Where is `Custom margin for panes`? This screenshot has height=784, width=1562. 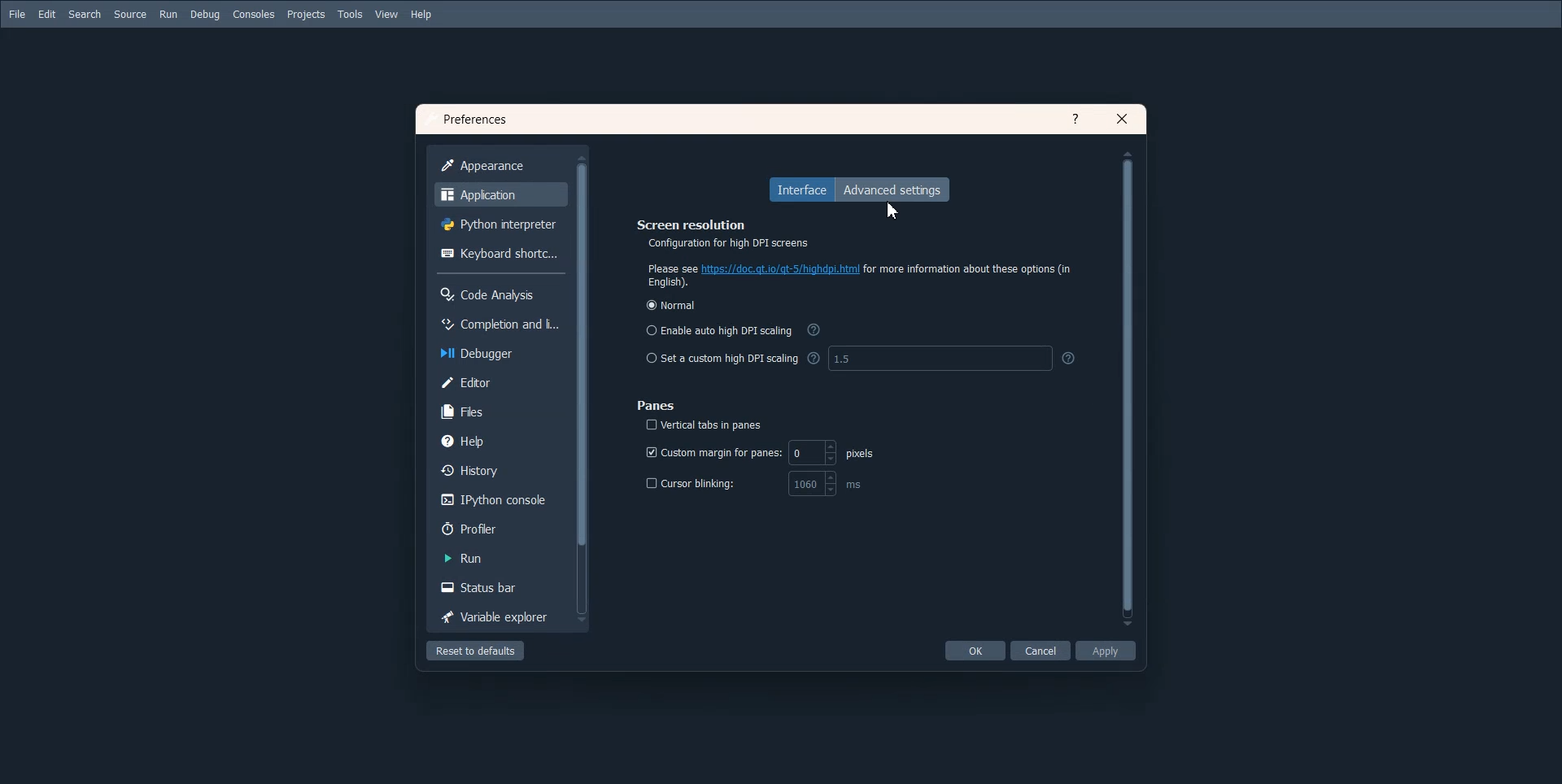
Custom margin for panes is located at coordinates (760, 452).